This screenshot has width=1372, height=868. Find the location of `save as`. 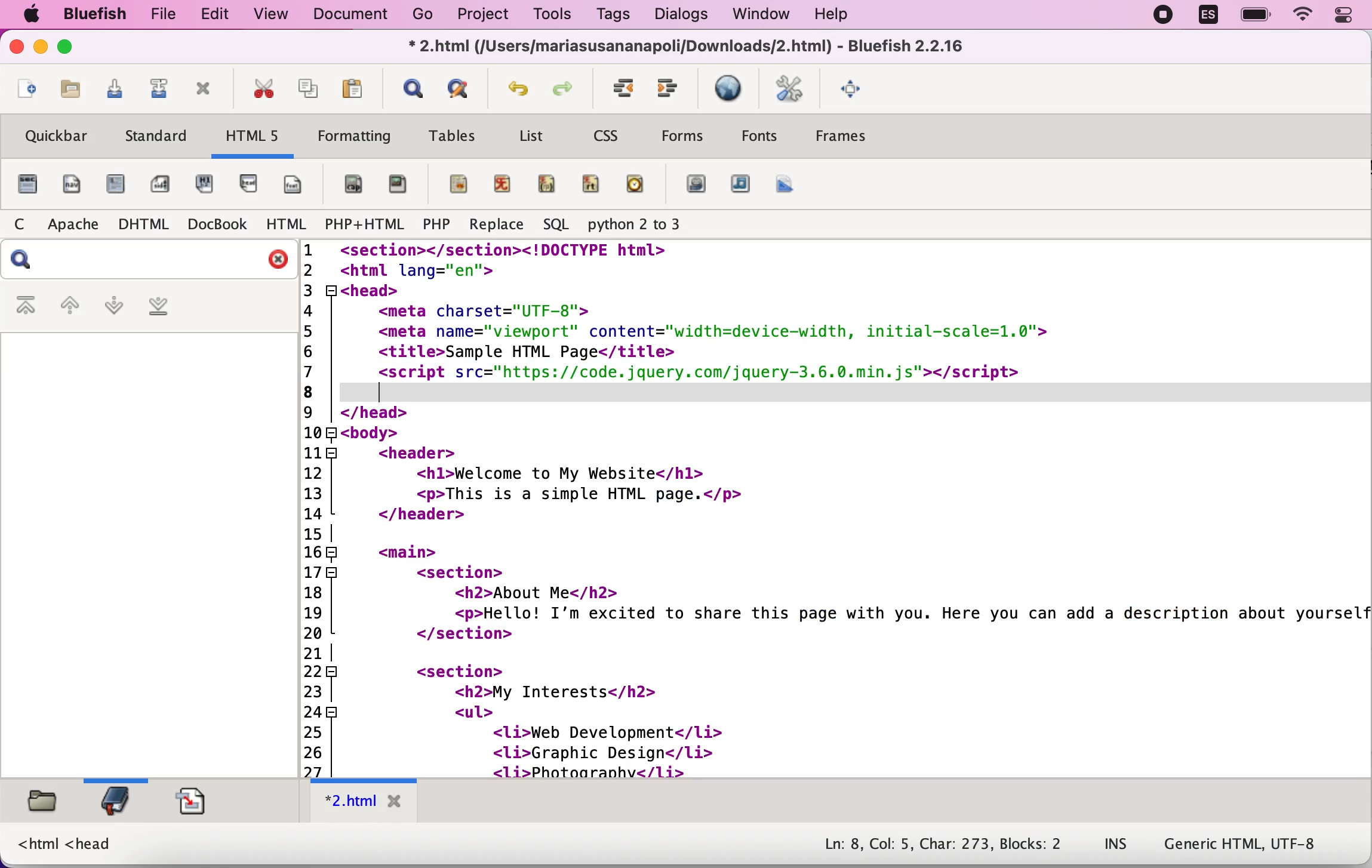

save as is located at coordinates (161, 87).